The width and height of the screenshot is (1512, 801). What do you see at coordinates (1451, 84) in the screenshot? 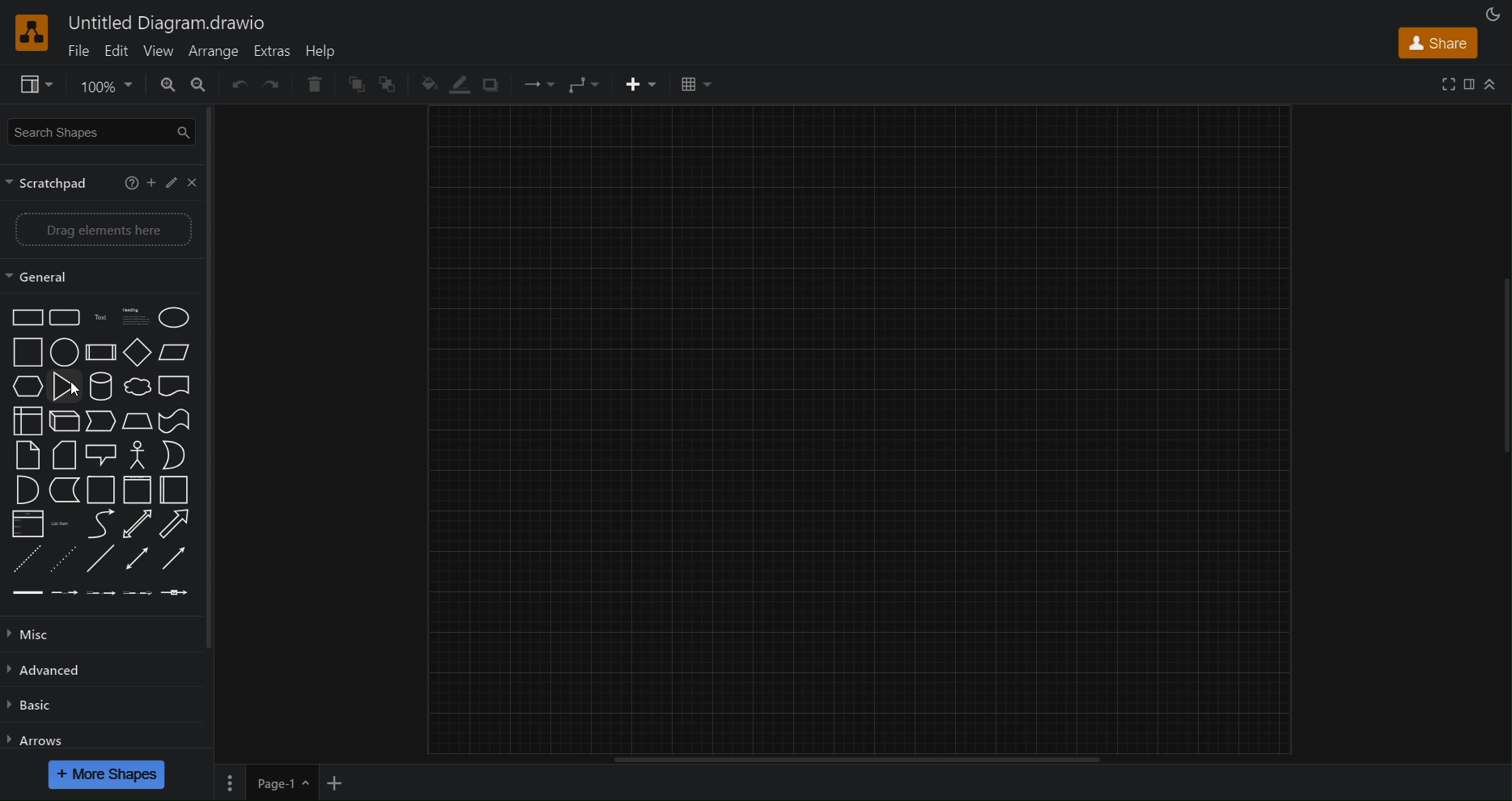
I see `Fullscreen` at bounding box center [1451, 84].